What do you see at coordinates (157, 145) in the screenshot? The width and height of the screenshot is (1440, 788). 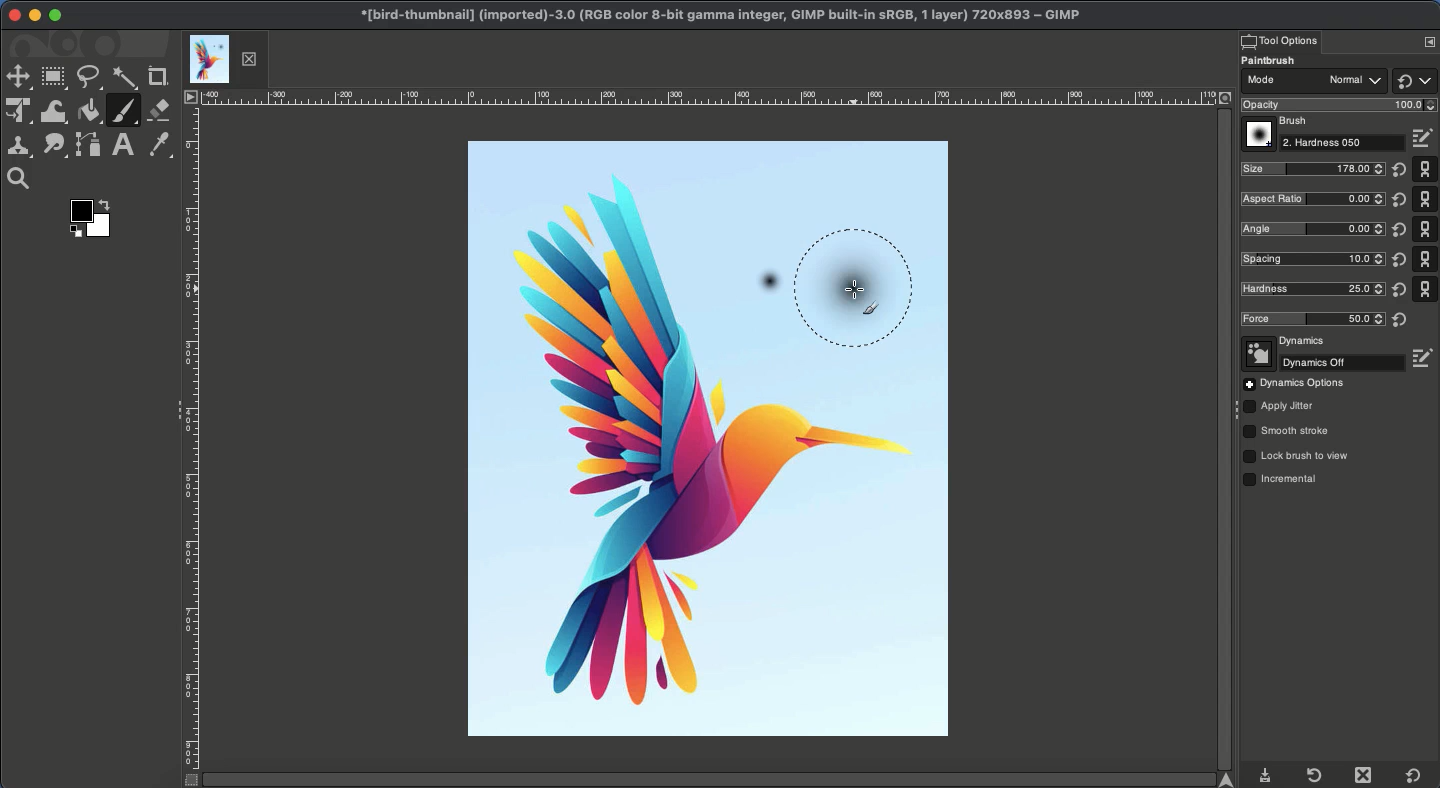 I see `Color picker` at bounding box center [157, 145].